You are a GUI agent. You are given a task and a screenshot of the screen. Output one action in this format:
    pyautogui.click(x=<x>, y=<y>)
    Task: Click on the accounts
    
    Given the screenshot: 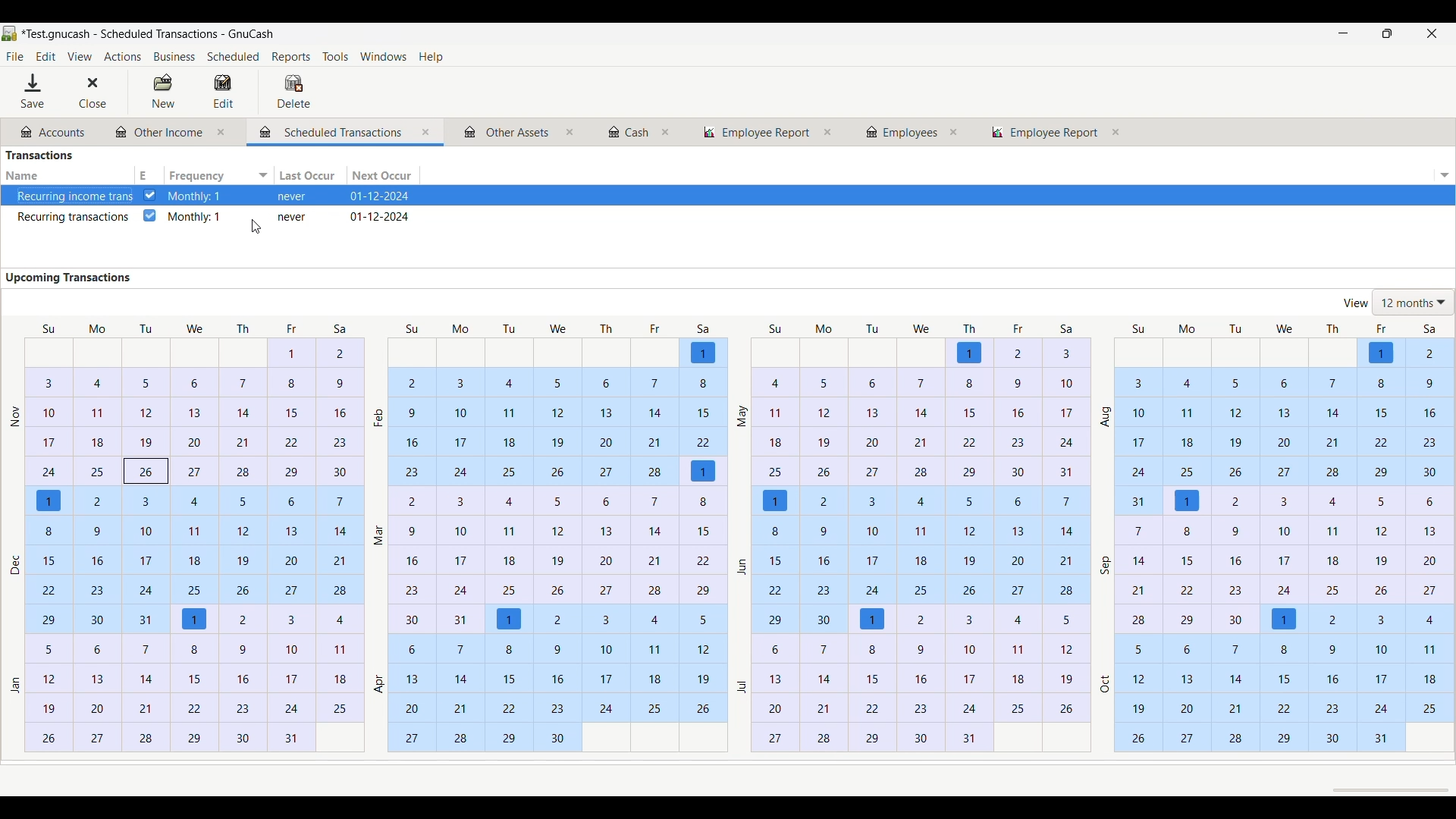 What is the action you would take?
    pyautogui.click(x=50, y=132)
    